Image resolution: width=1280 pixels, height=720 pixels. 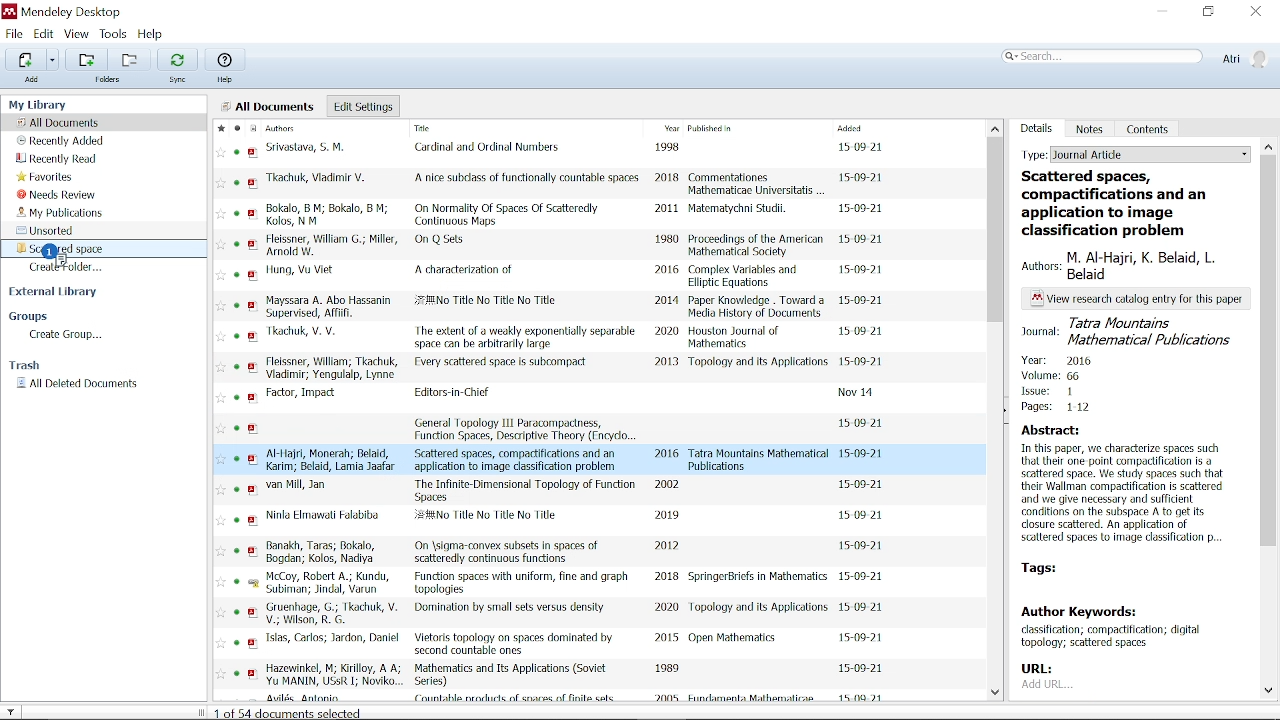 What do you see at coordinates (304, 394) in the screenshot?
I see `authors` at bounding box center [304, 394].